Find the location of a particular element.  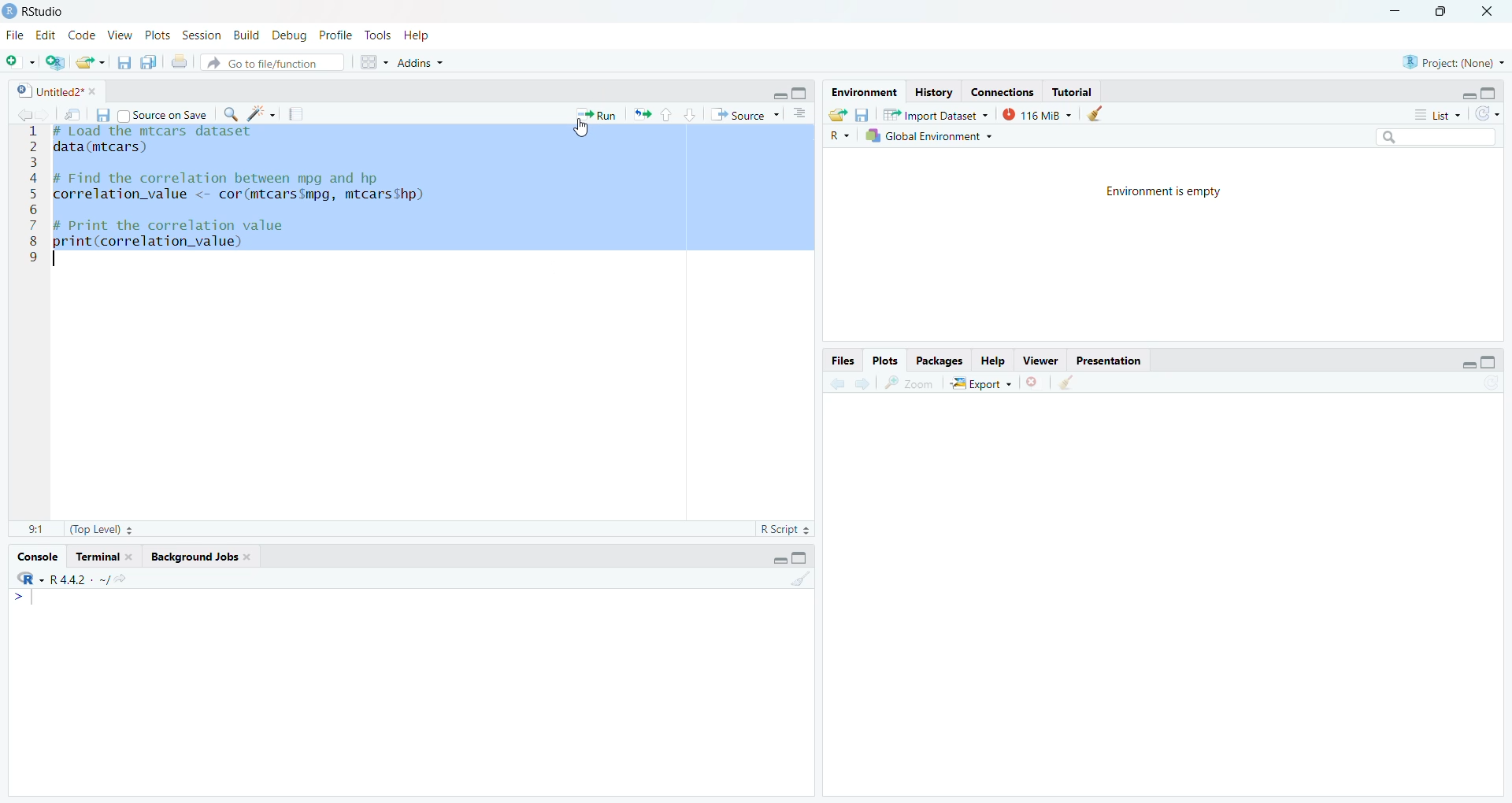

Refresh the list of objects in the environment is located at coordinates (1489, 115).